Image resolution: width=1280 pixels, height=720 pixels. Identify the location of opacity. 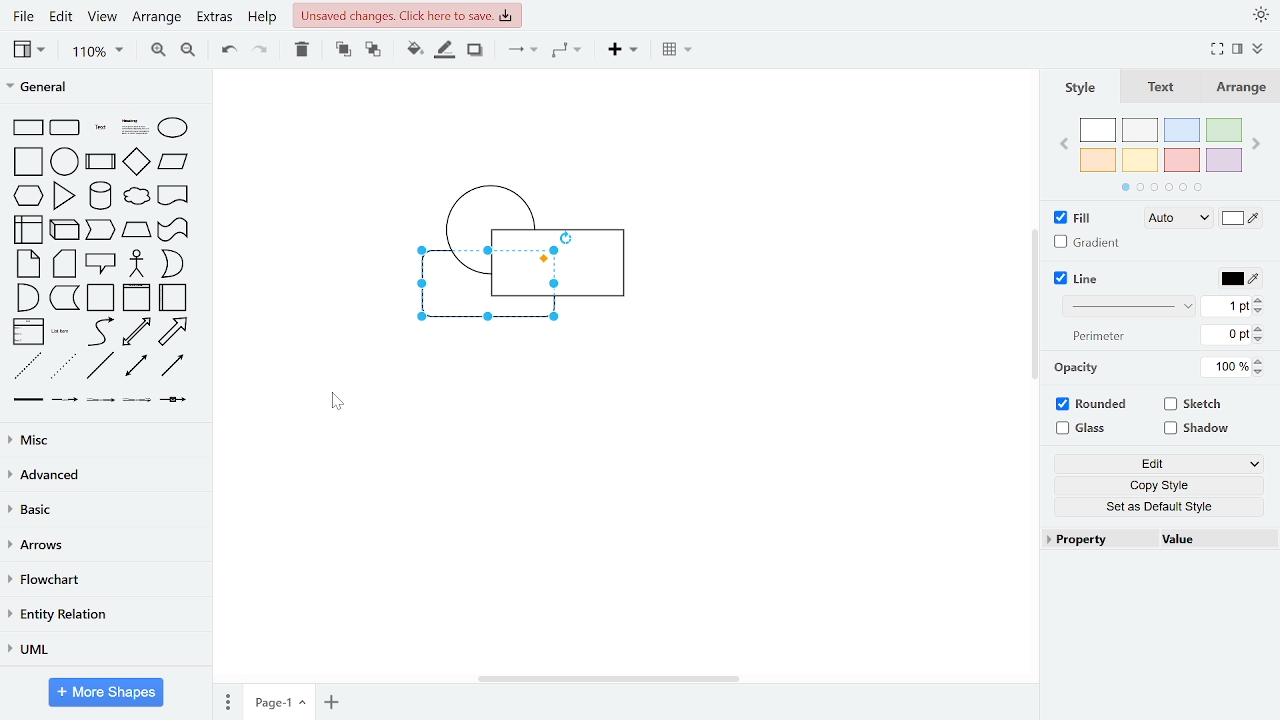
(1075, 369).